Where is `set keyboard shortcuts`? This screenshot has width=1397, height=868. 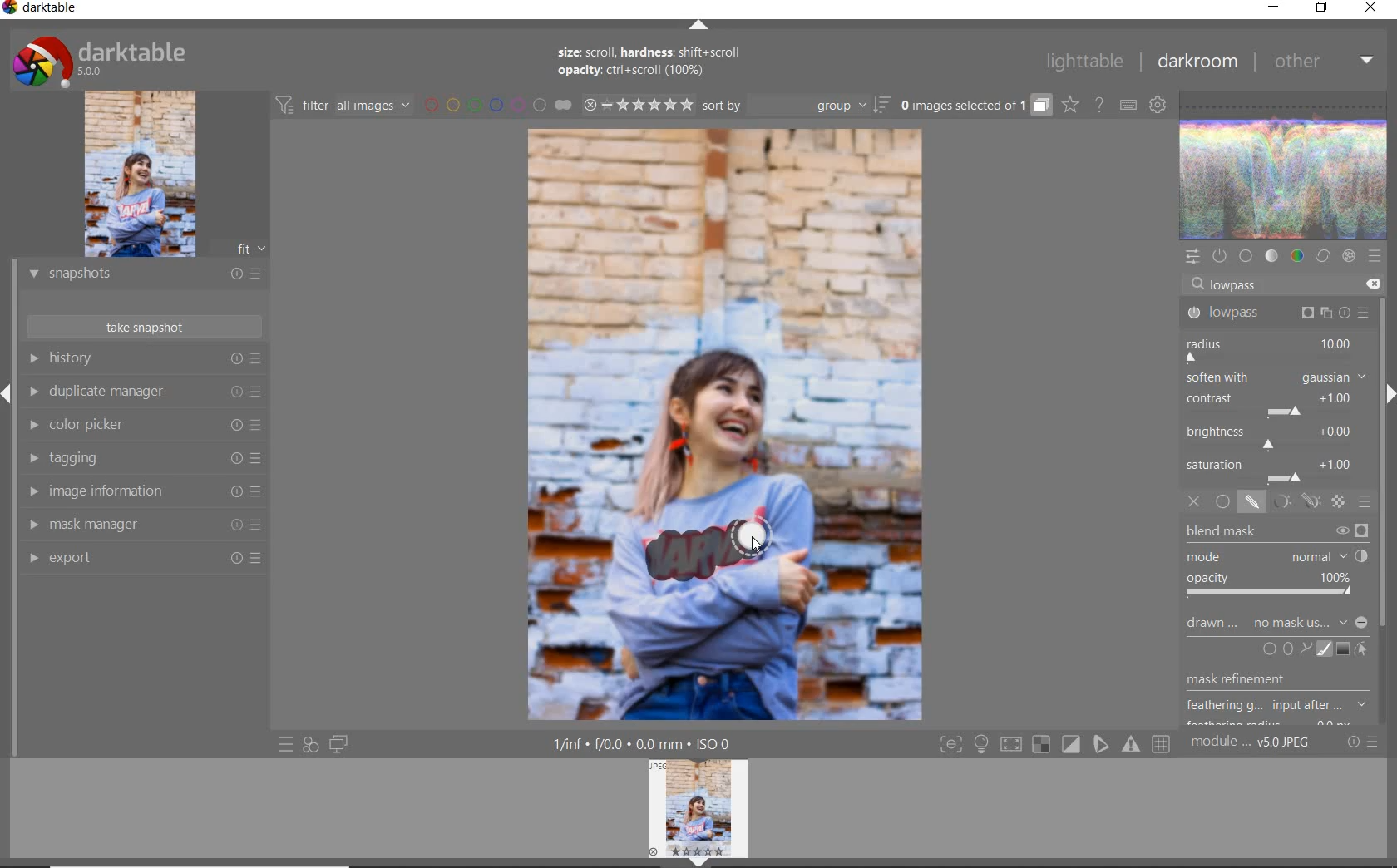 set keyboard shortcuts is located at coordinates (1127, 104).